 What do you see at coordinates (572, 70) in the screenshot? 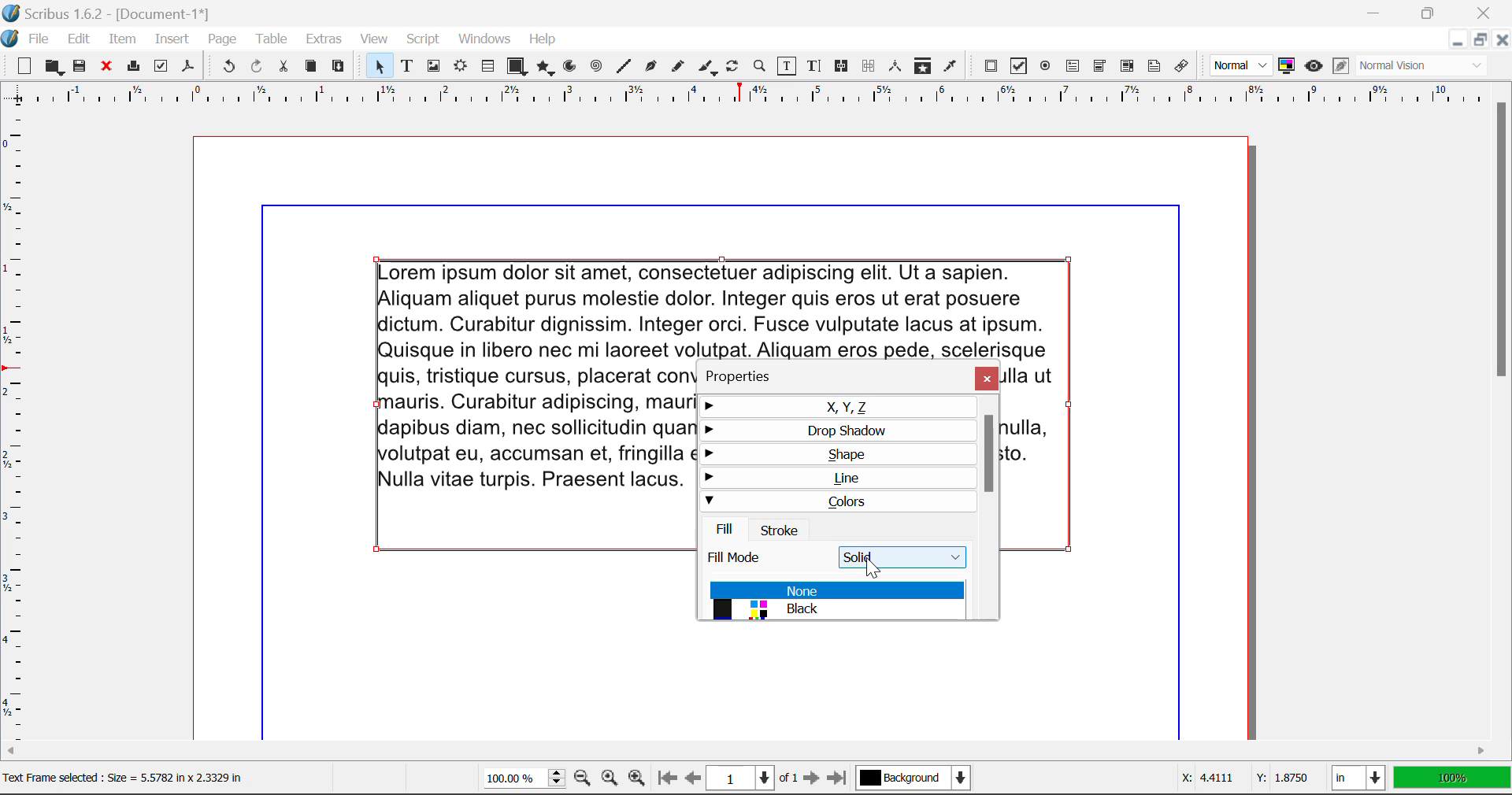
I see `Arcs` at bounding box center [572, 70].